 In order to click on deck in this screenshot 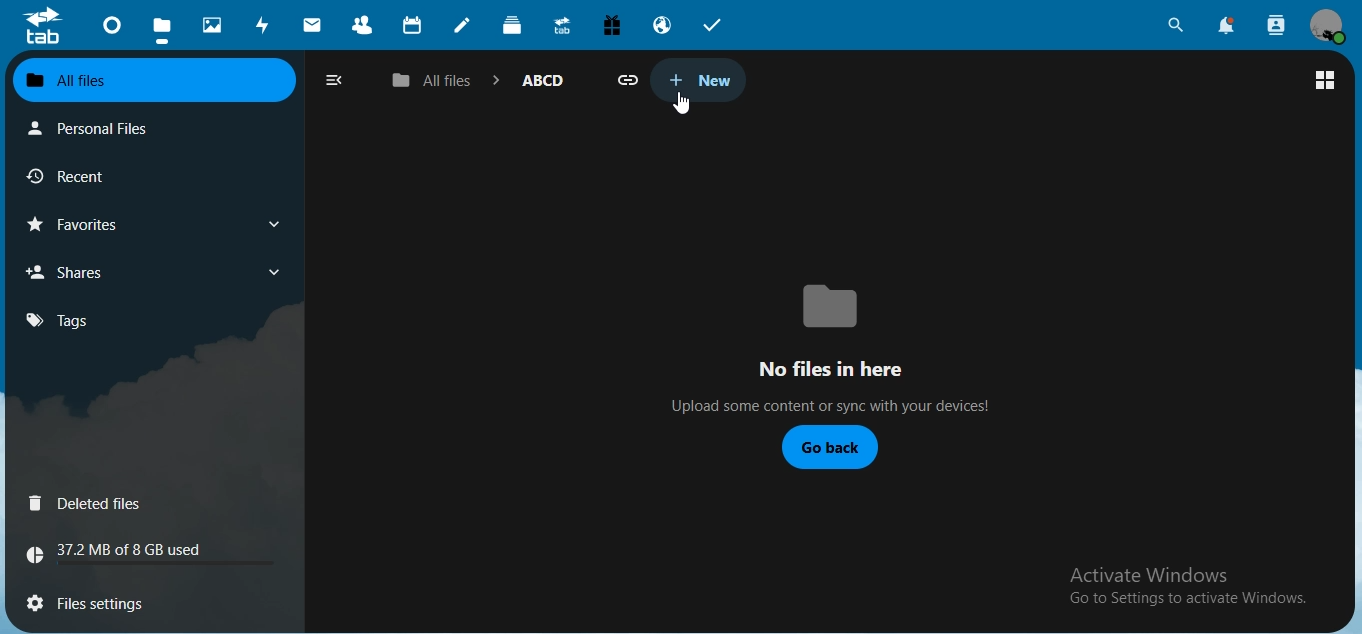, I will do `click(515, 28)`.